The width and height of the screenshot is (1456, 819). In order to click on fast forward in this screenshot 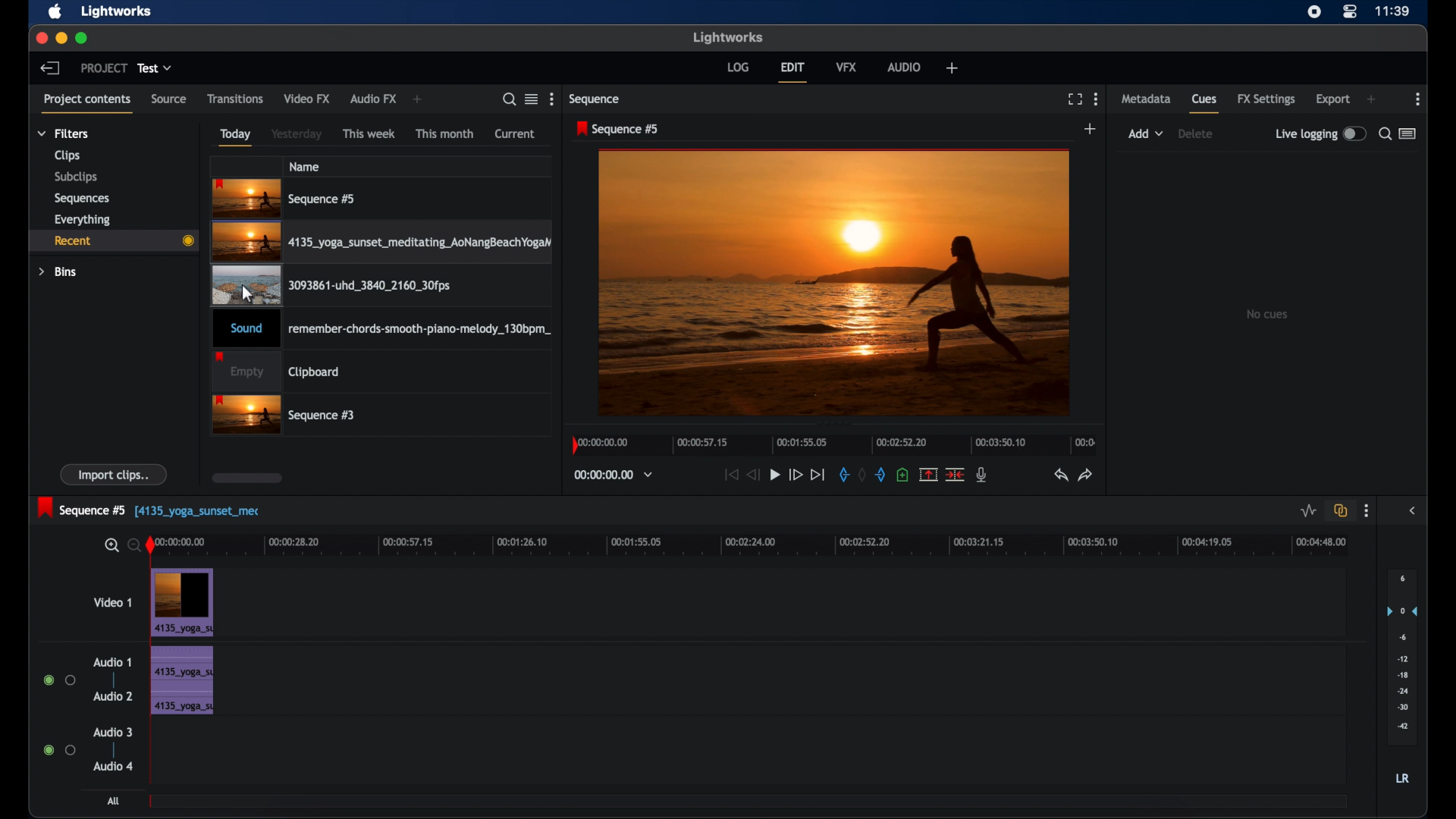, I will do `click(795, 475)`.